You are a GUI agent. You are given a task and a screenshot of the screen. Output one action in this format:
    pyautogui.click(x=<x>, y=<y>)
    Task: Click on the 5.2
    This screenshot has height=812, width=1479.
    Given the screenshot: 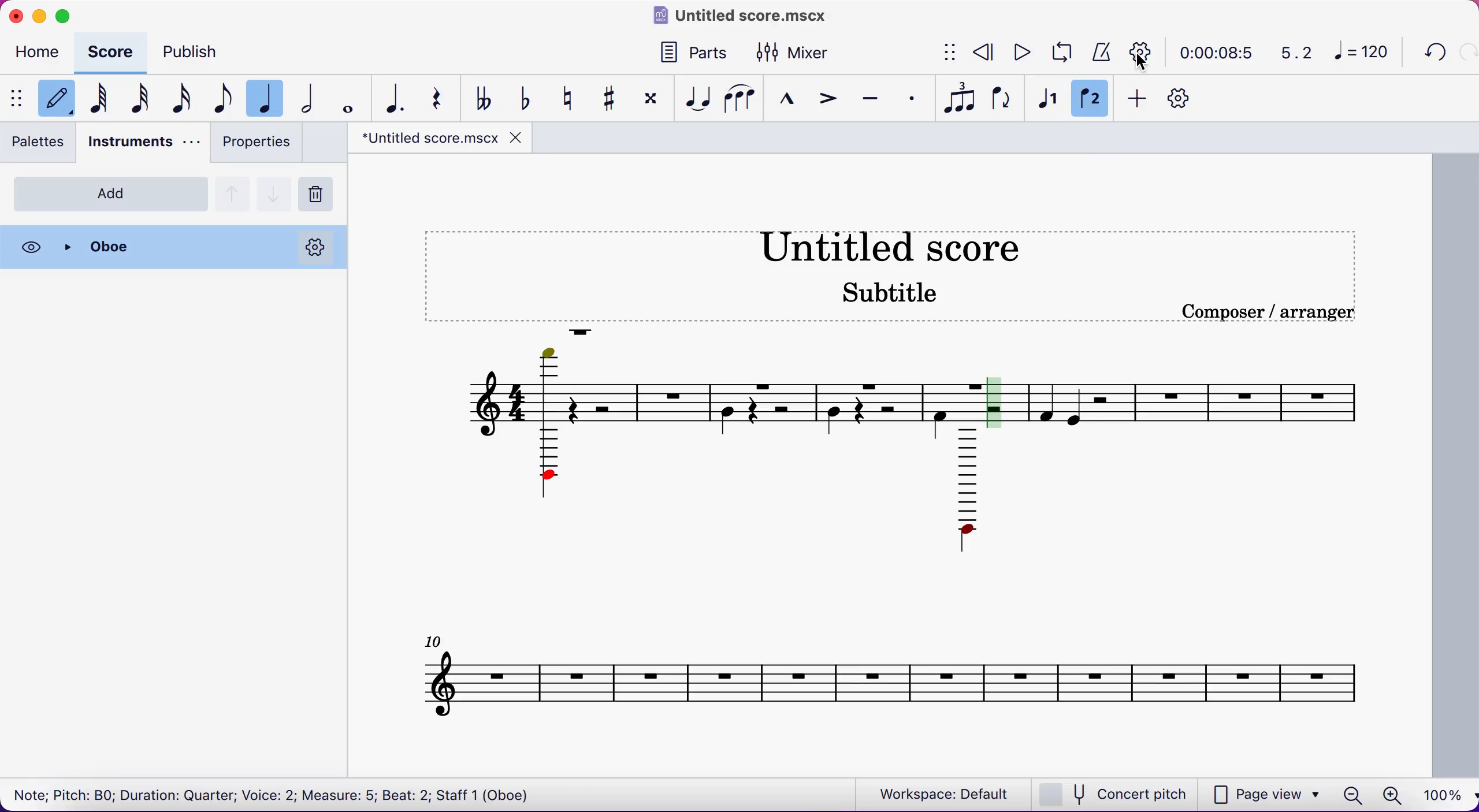 What is the action you would take?
    pyautogui.click(x=1290, y=53)
    